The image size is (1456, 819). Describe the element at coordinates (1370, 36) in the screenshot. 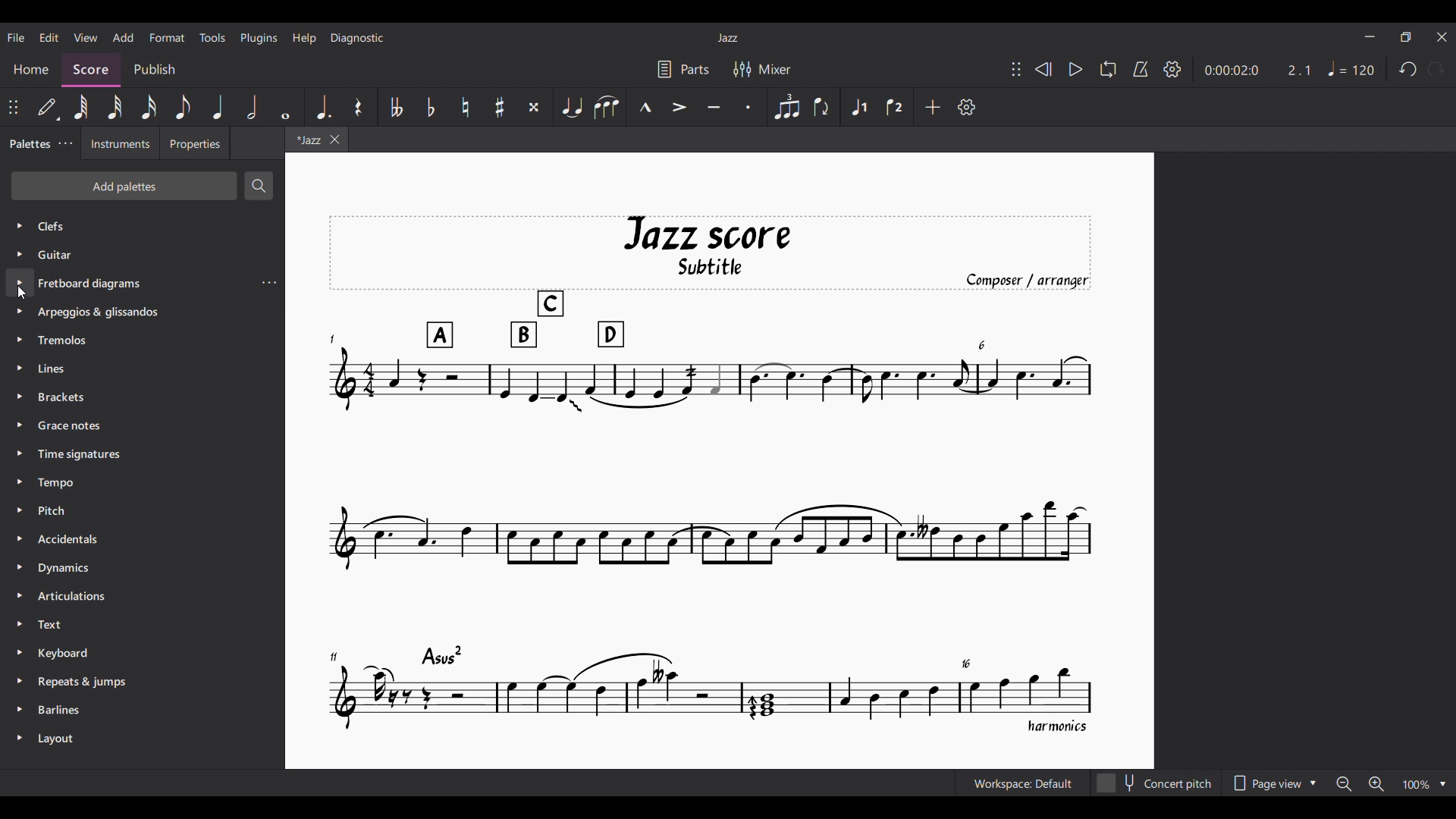

I see `Minimize` at that location.